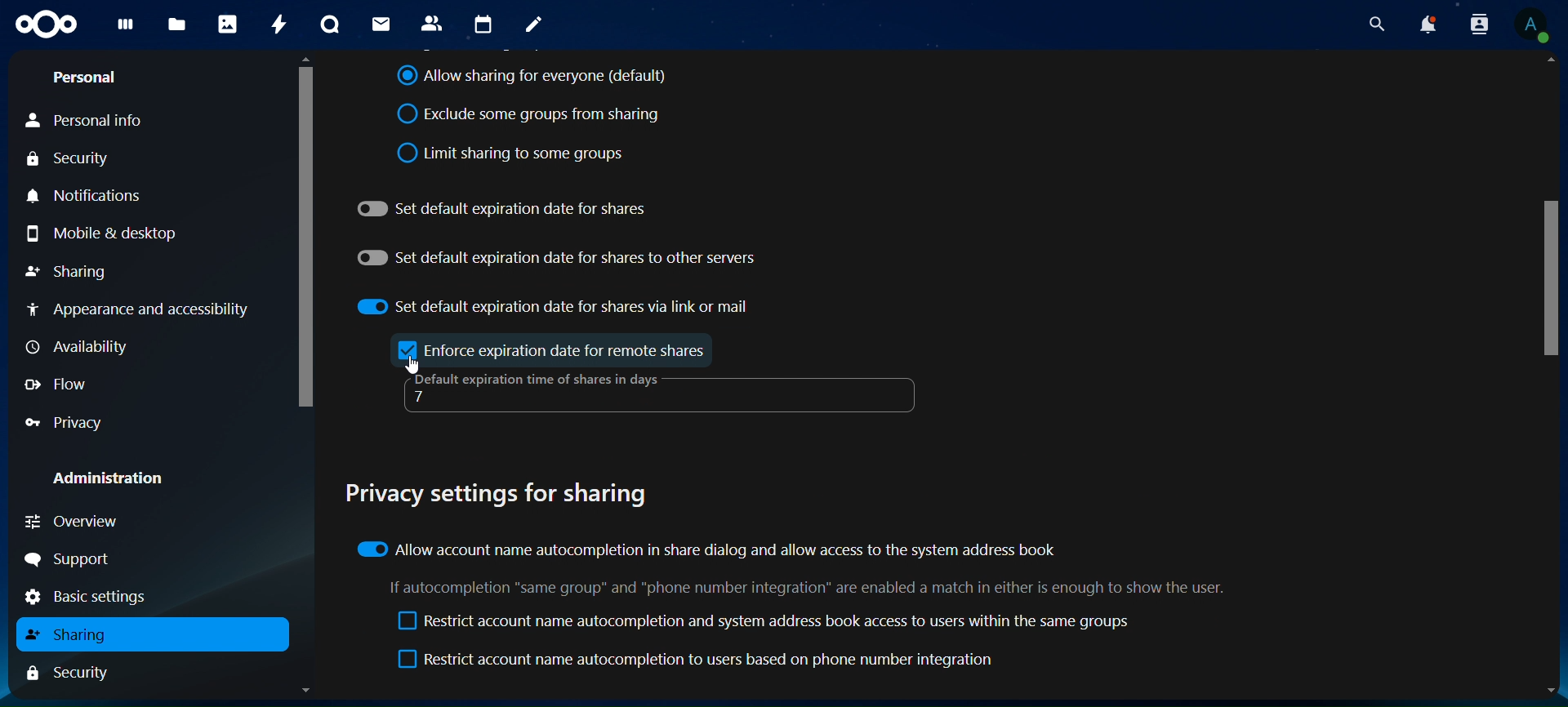 Image resolution: width=1568 pixels, height=707 pixels. What do you see at coordinates (56, 384) in the screenshot?
I see `flow` at bounding box center [56, 384].